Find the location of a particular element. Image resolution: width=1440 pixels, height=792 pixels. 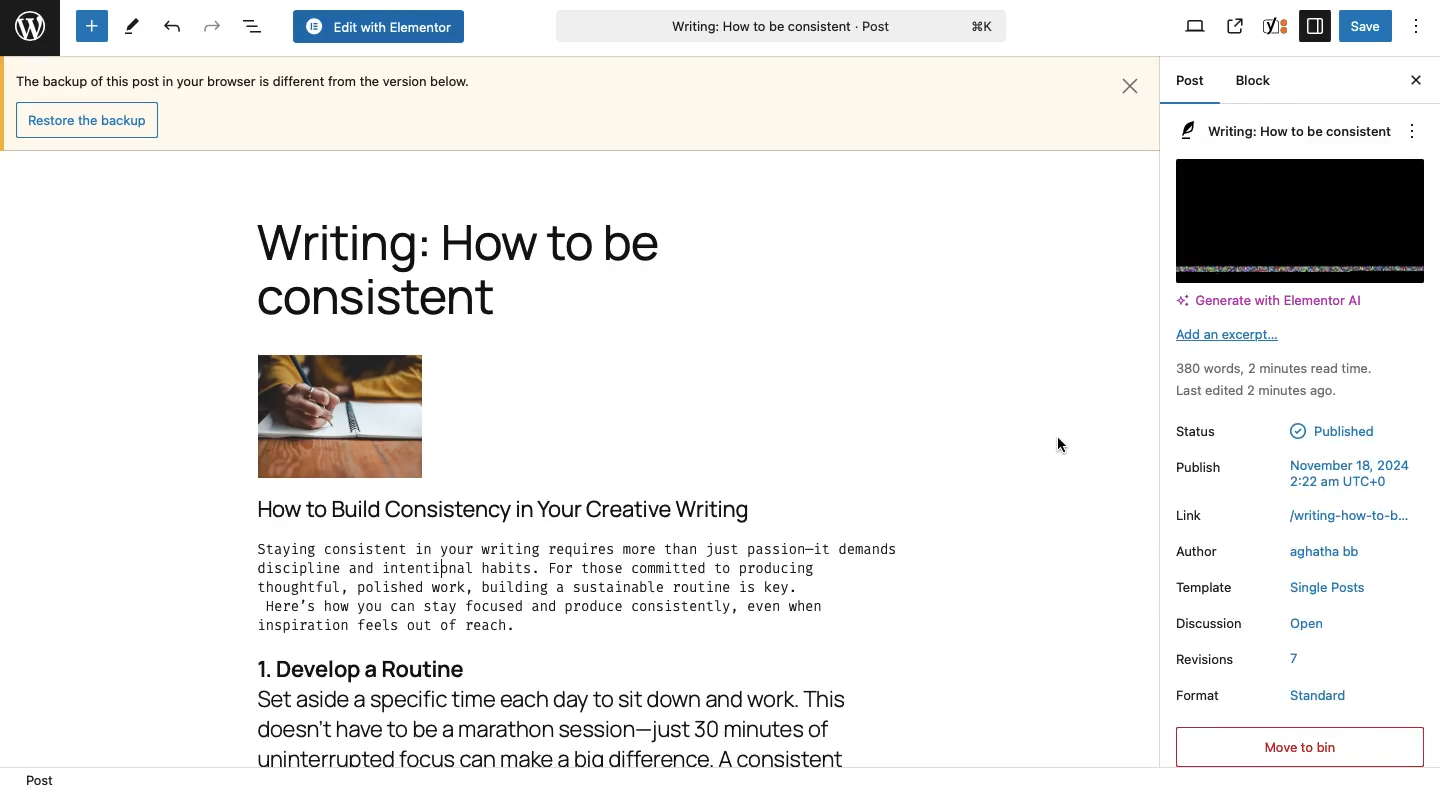

Move to bin is located at coordinates (1296, 749).